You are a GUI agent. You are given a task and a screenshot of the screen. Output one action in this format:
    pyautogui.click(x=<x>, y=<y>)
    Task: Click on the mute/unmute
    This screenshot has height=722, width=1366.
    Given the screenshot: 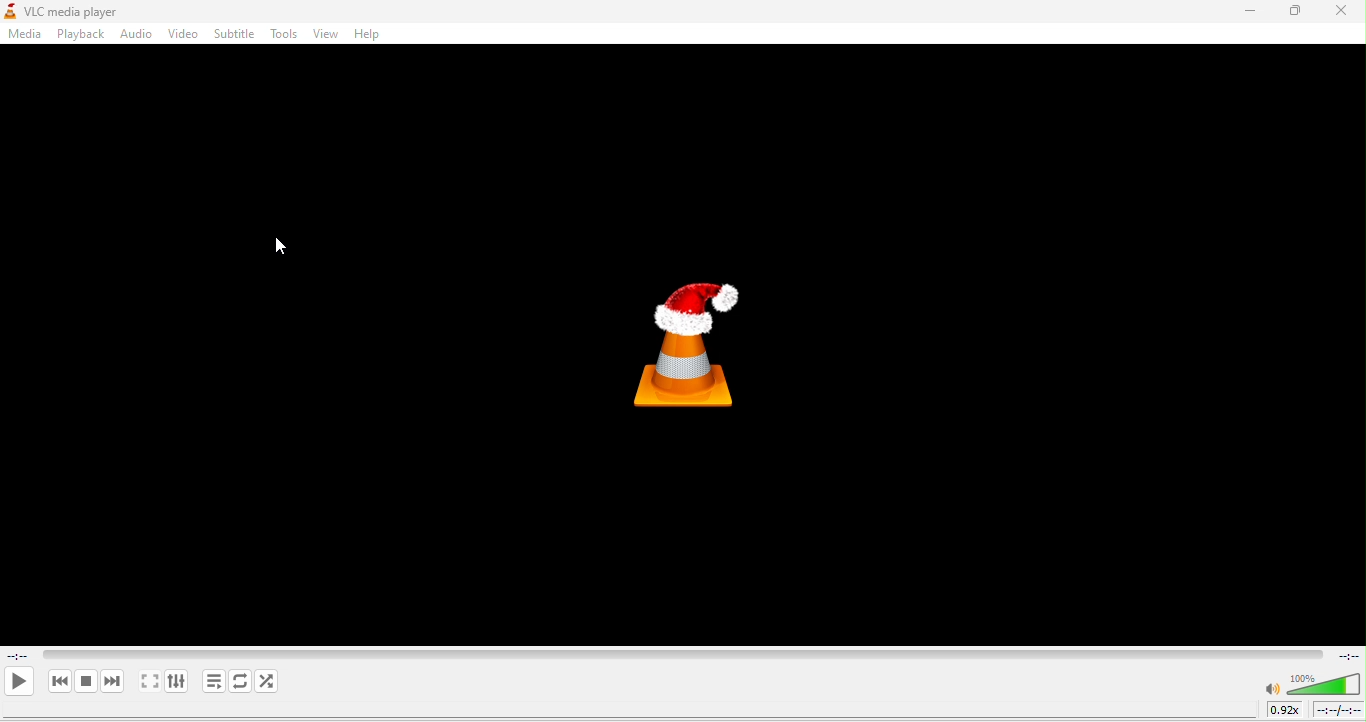 What is the action you would take?
    pyautogui.click(x=1272, y=690)
    